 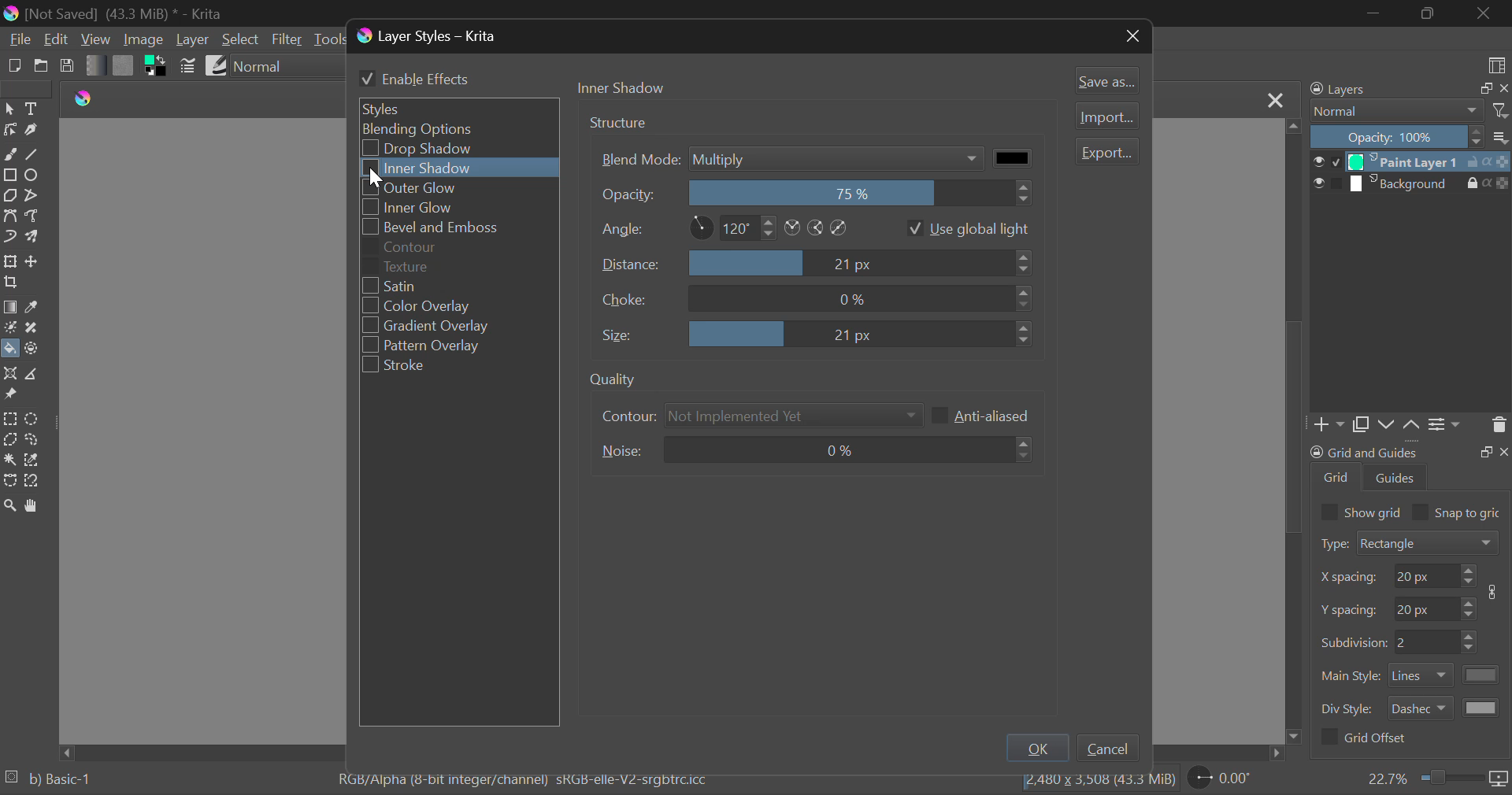 What do you see at coordinates (624, 379) in the screenshot?
I see `quality` at bounding box center [624, 379].